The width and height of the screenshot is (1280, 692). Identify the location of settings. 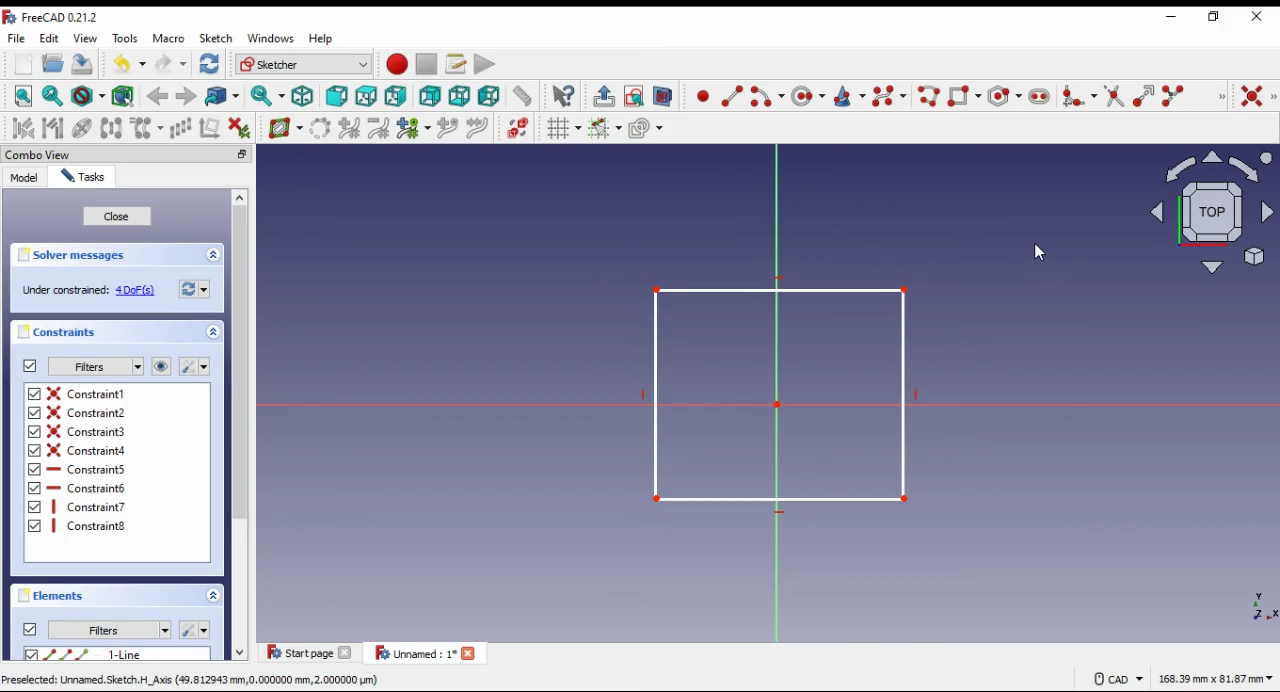
(194, 628).